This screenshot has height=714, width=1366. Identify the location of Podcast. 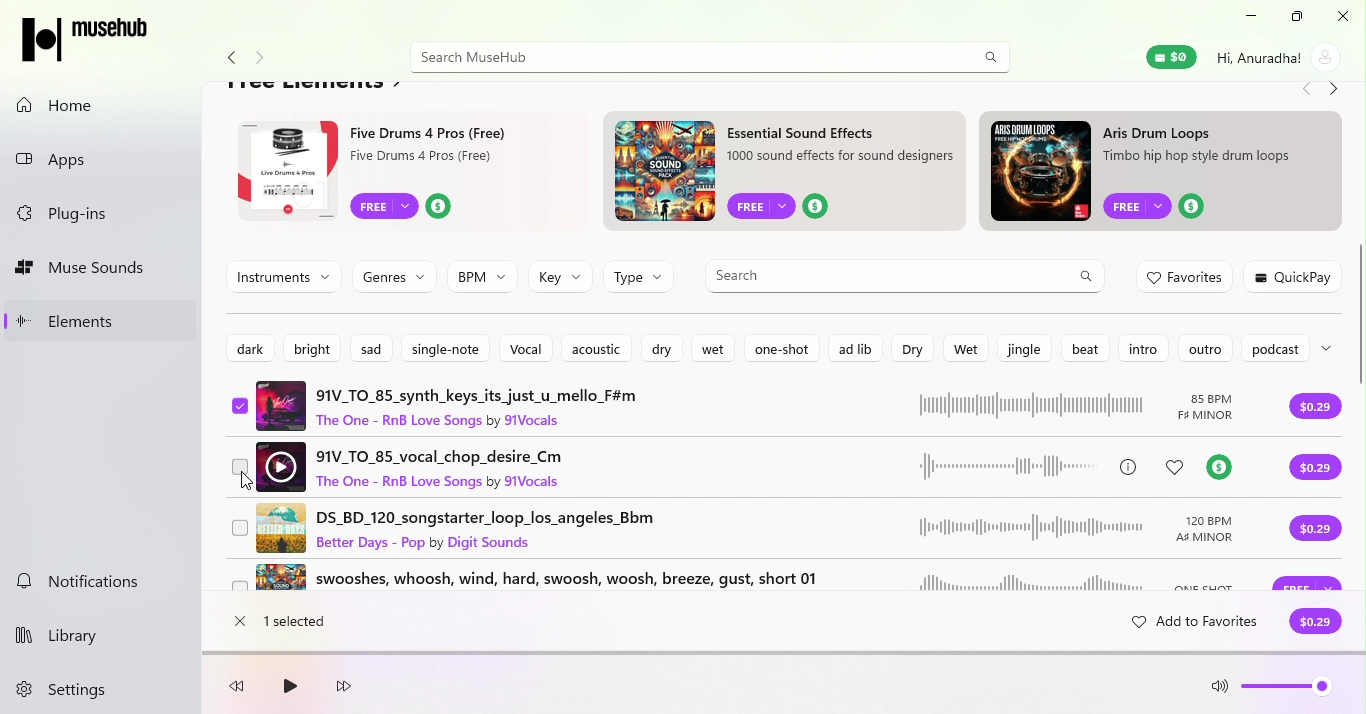
(1273, 350).